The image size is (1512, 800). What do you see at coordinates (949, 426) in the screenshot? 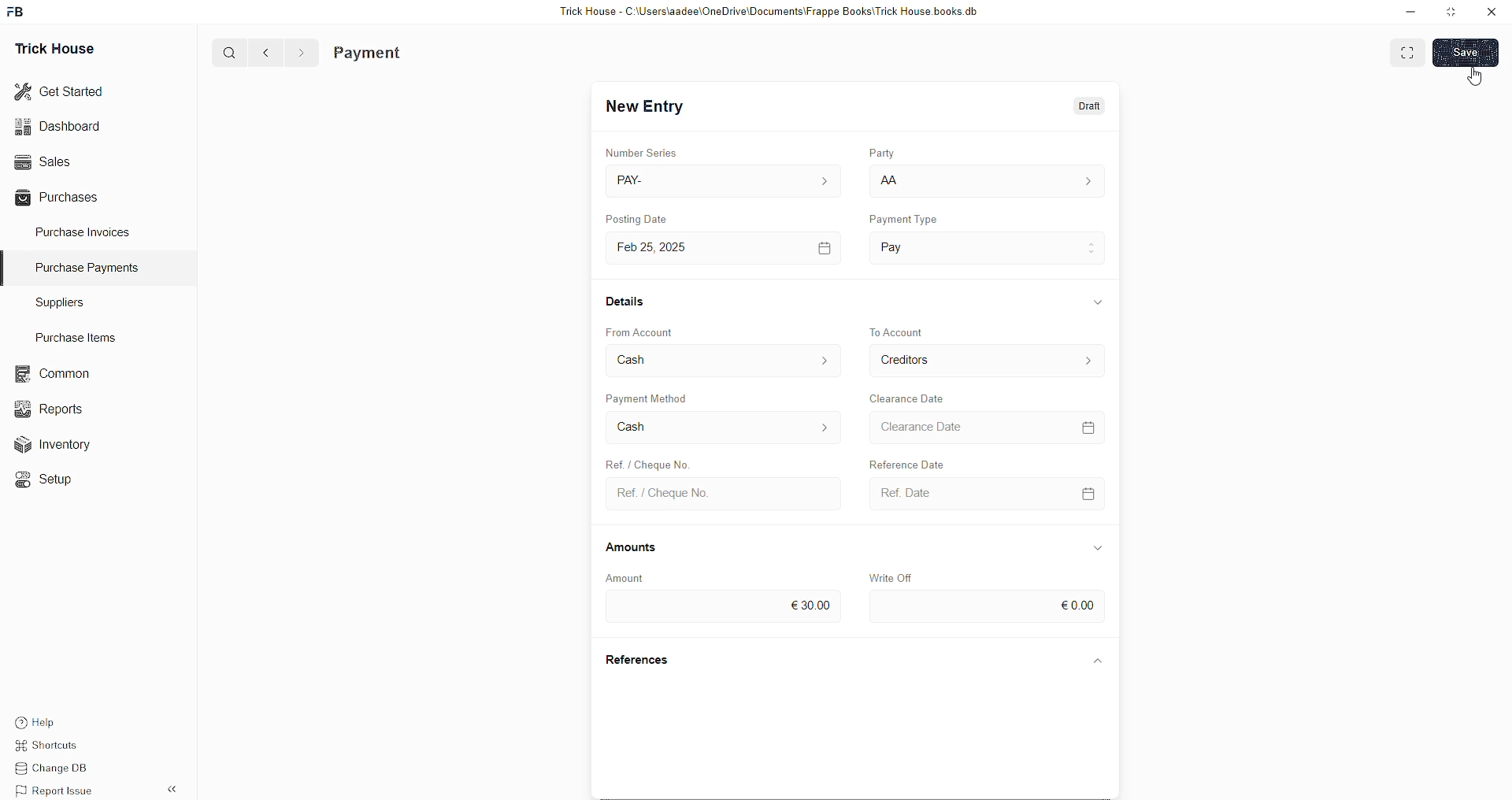
I see `> Clearance Date` at bounding box center [949, 426].